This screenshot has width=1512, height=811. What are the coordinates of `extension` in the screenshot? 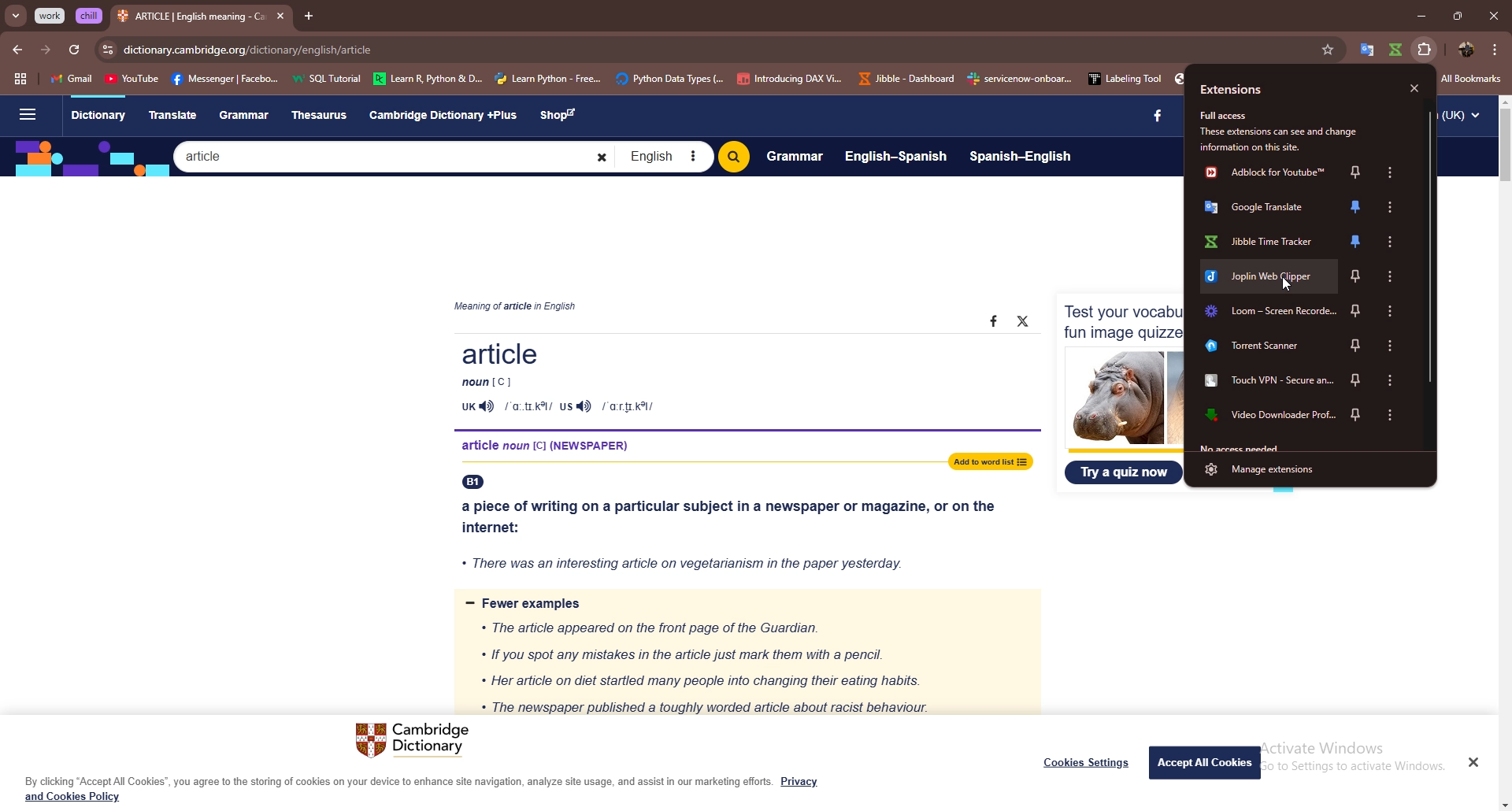 It's located at (1269, 312).